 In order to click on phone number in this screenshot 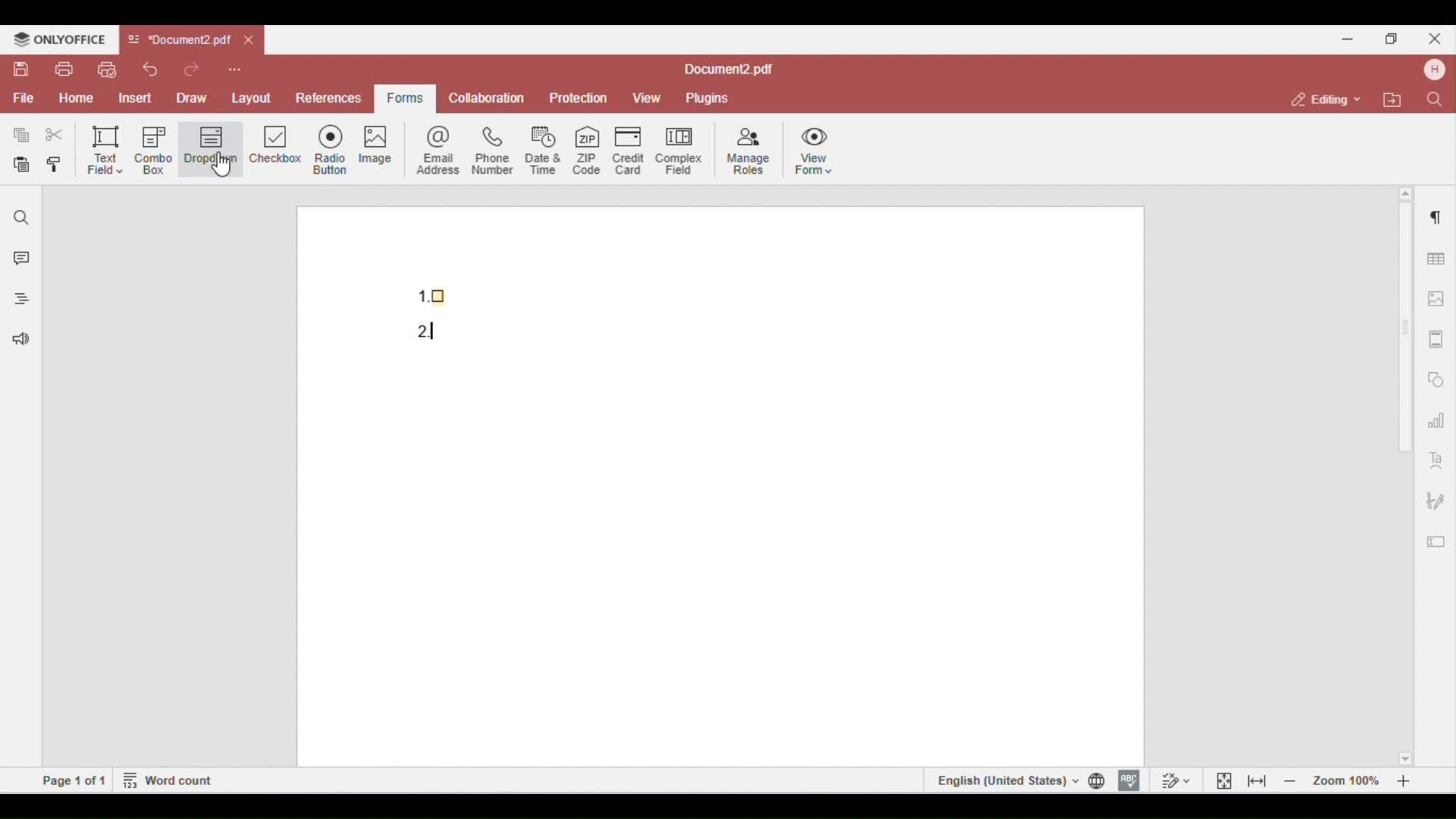, I will do `click(491, 150)`.